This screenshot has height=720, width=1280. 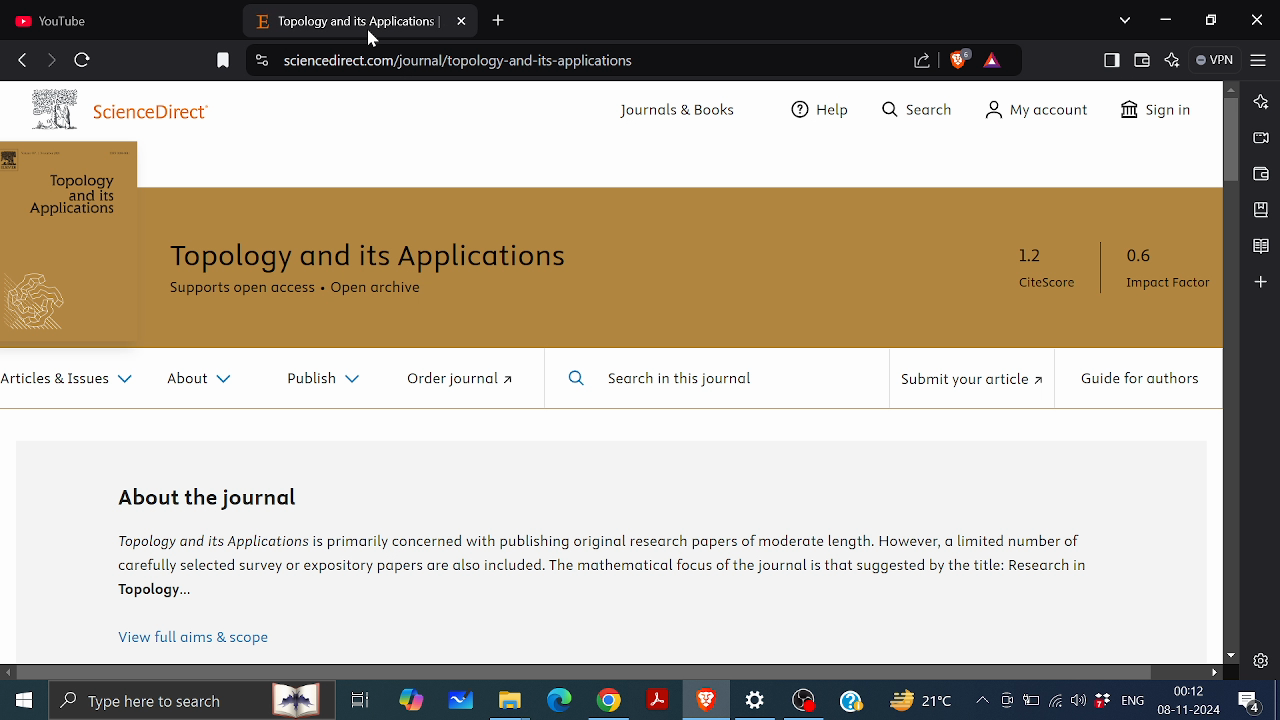 I want to click on reading list, so click(x=1261, y=247).